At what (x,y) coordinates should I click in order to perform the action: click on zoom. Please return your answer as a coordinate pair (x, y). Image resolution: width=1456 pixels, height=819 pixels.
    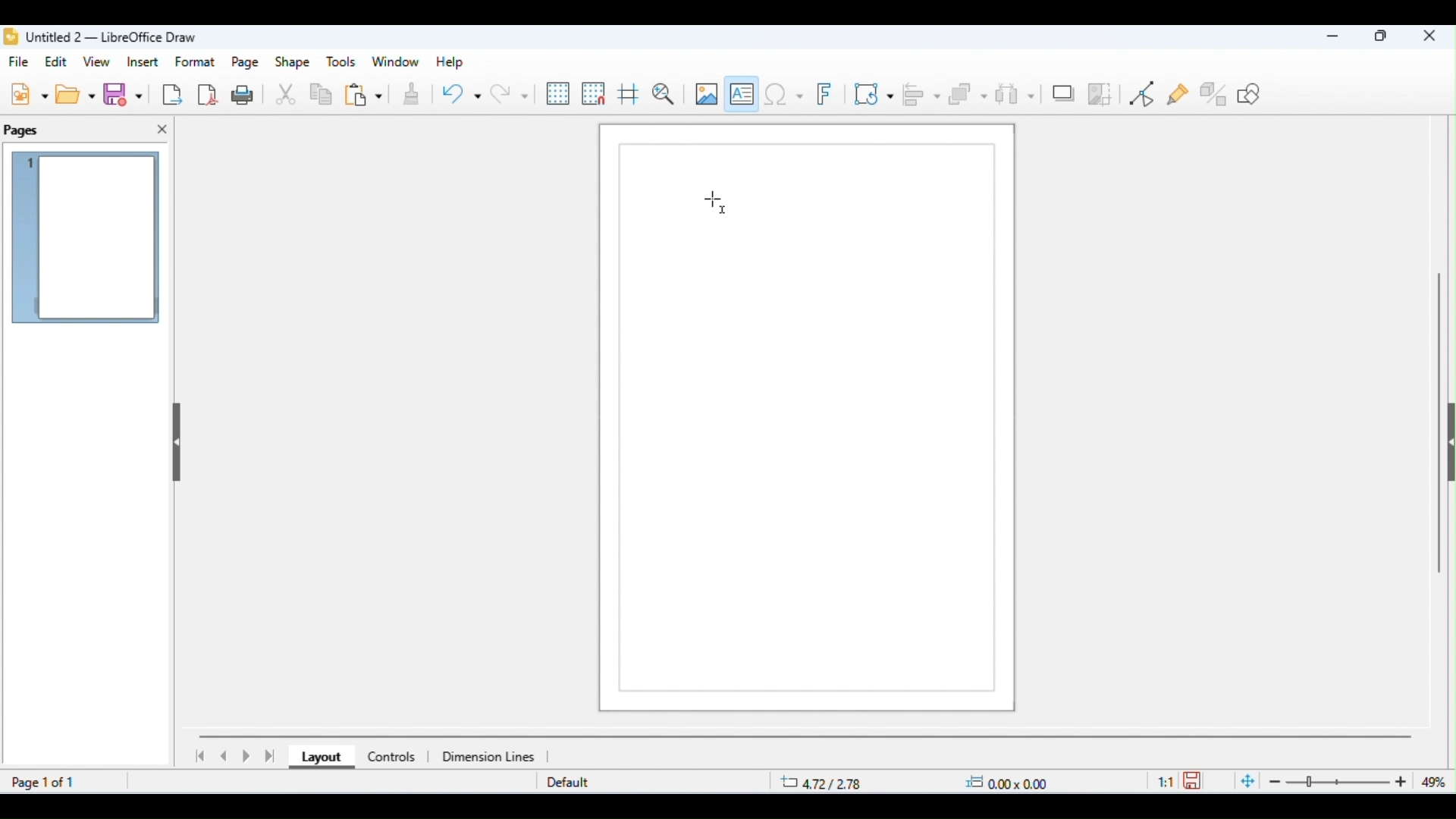
    Looking at the image, I should click on (1342, 782).